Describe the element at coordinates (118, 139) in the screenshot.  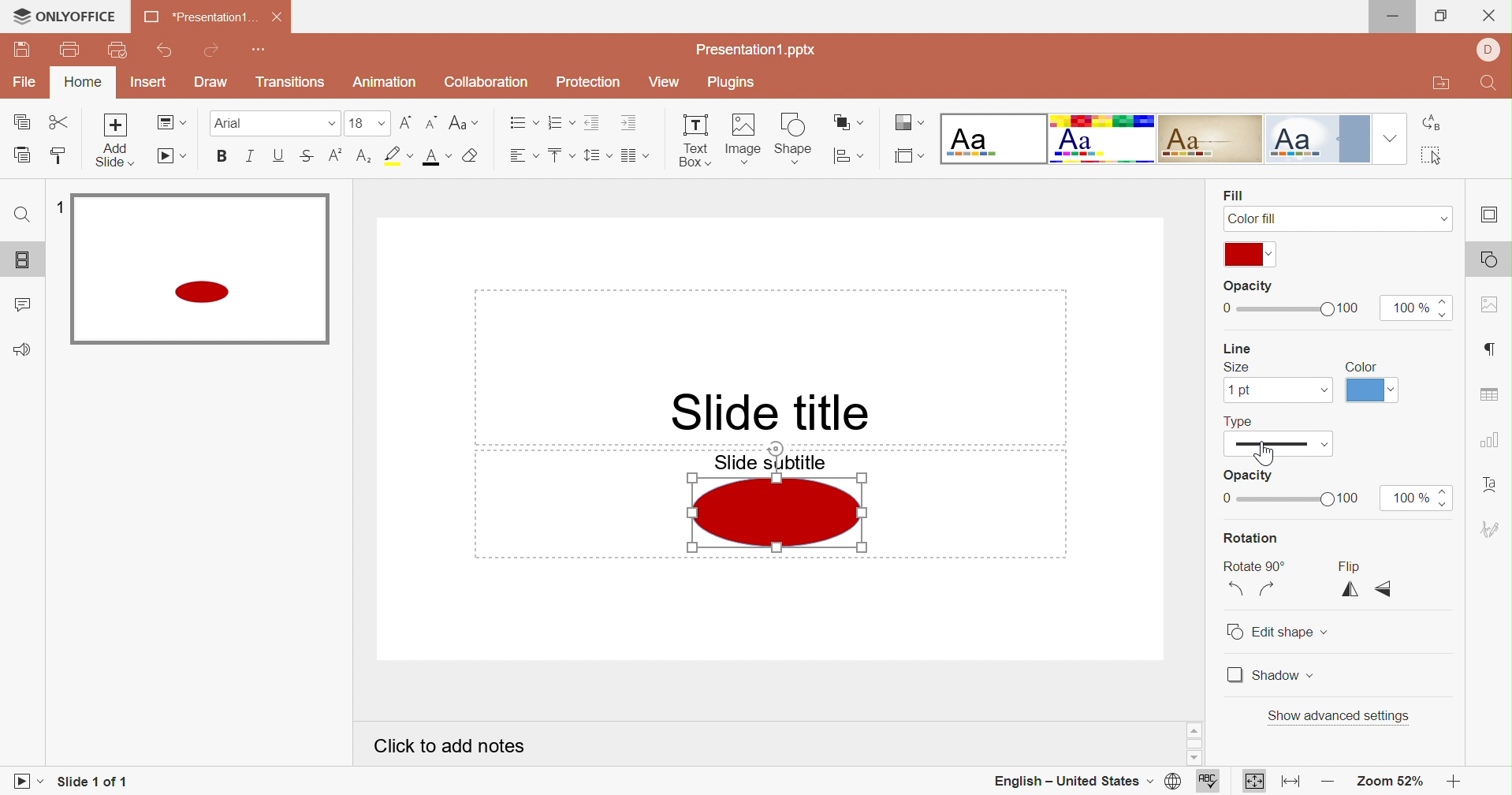
I see `Add Slide` at that location.